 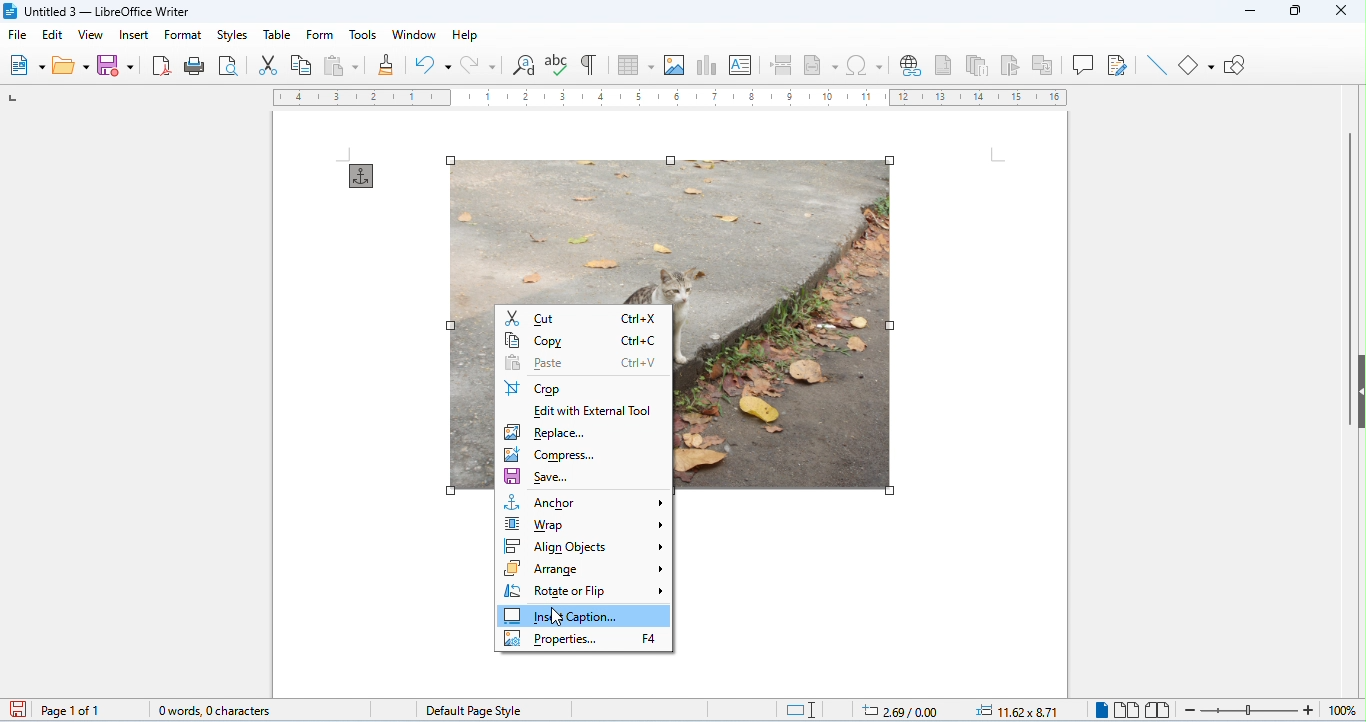 I want to click on export pdf, so click(x=163, y=65).